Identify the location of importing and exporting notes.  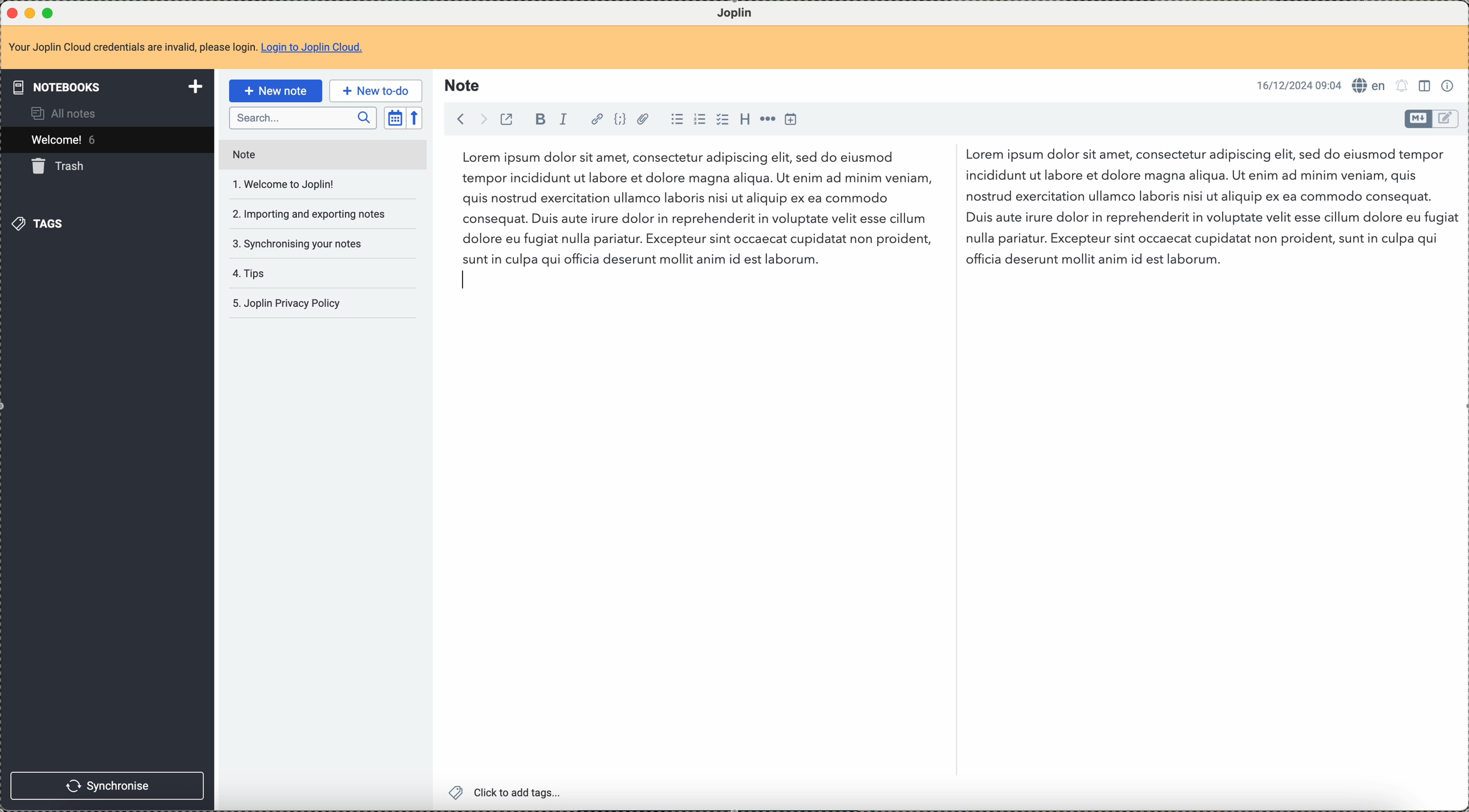
(312, 215).